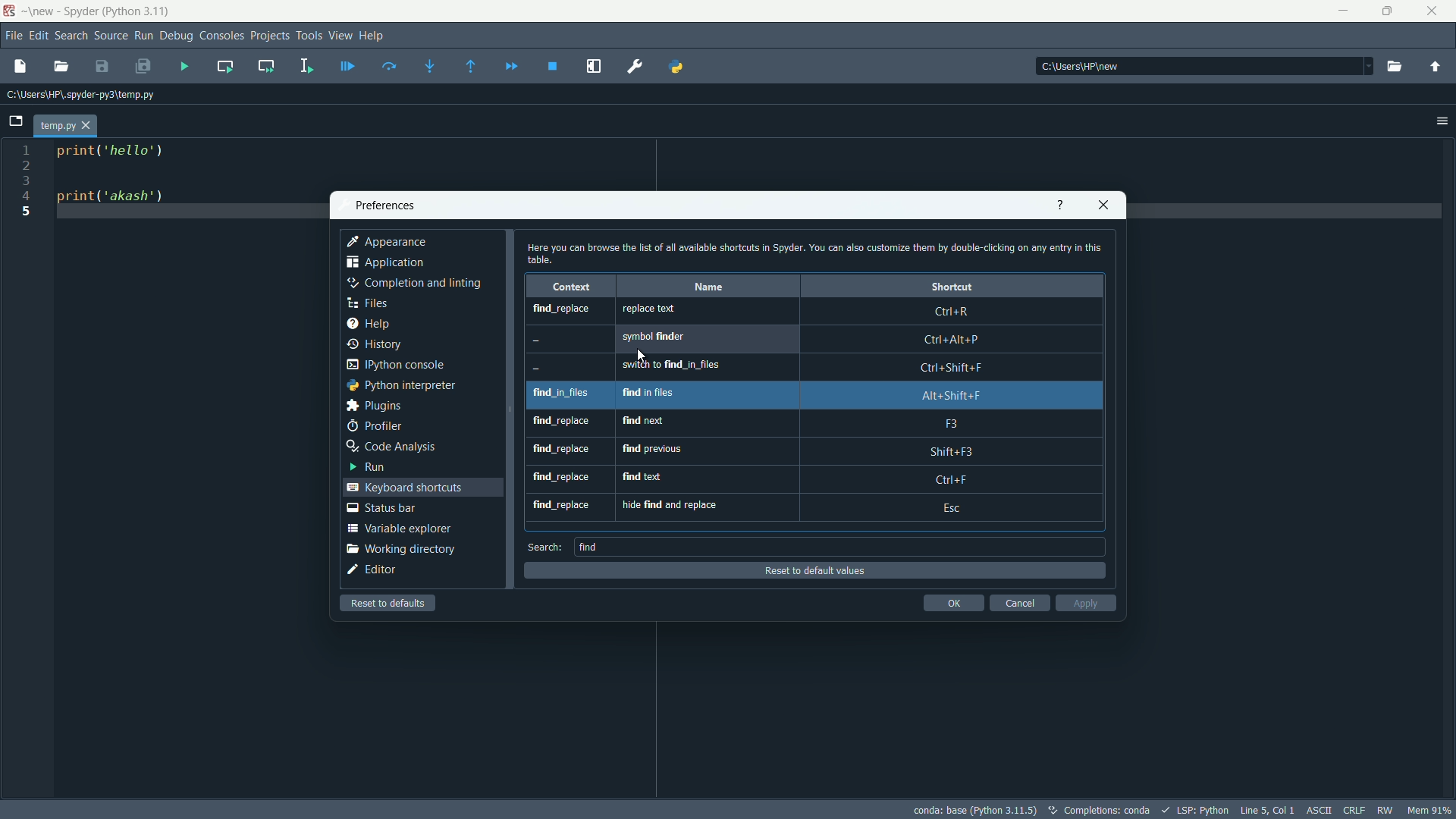  I want to click on find_replace, find next, f3, so click(814, 425).